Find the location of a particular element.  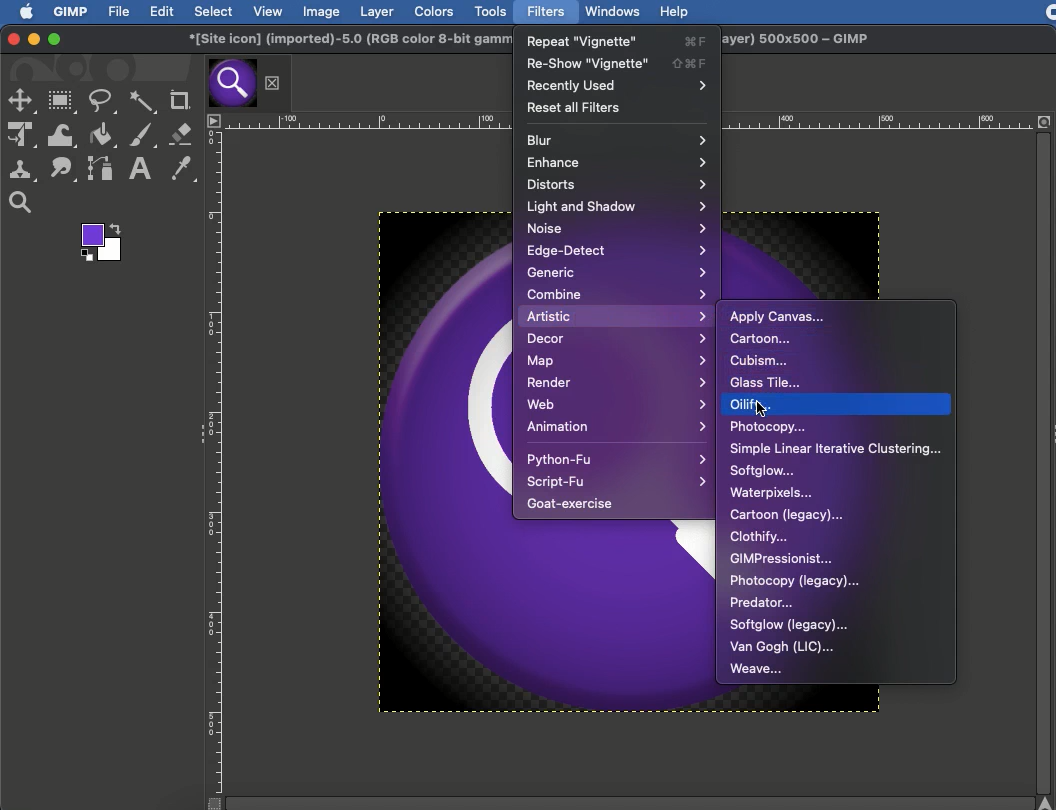

GIMP is located at coordinates (71, 12).